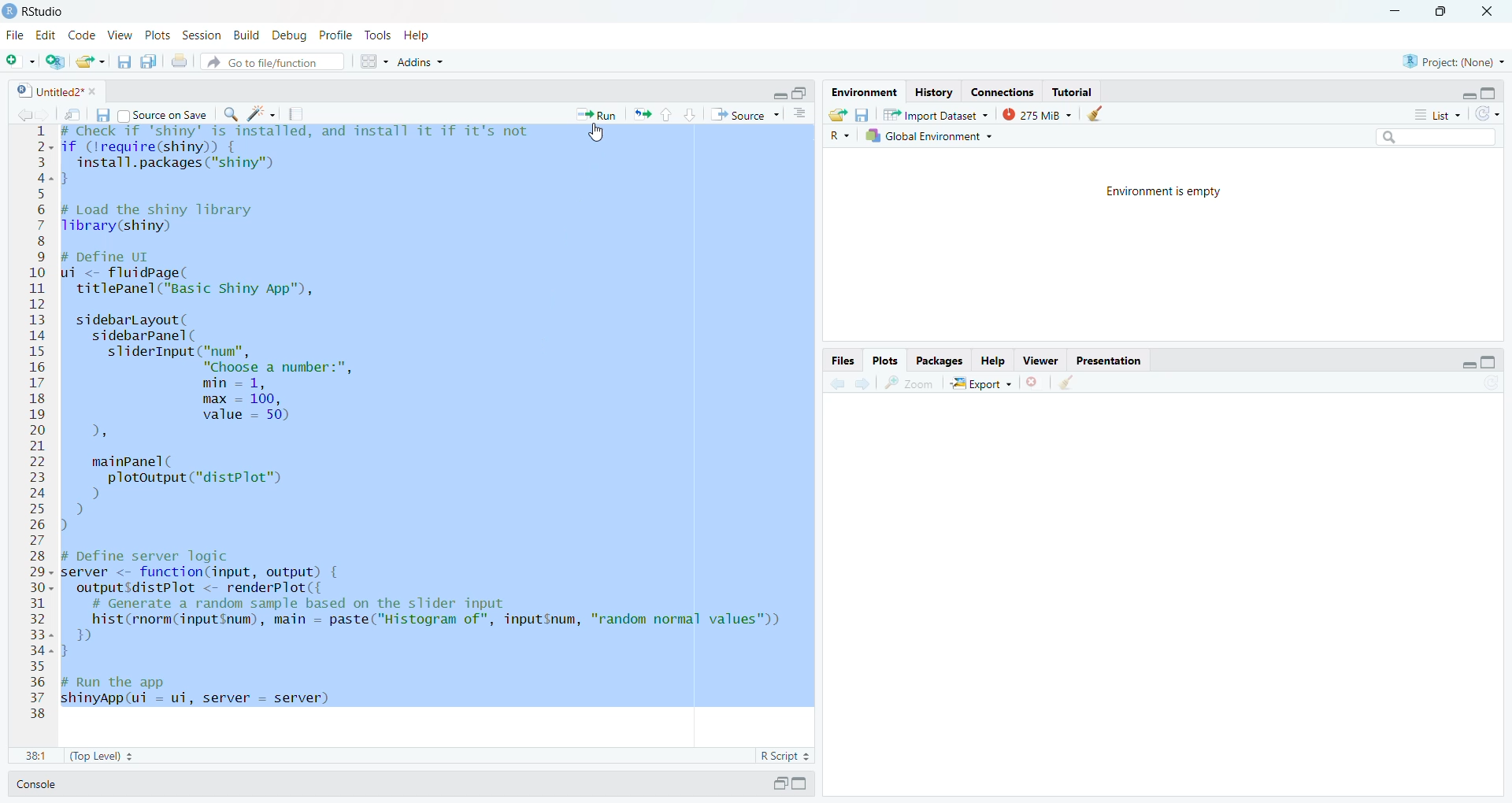  What do you see at coordinates (102, 756) in the screenshot?
I see `(Top Level)` at bounding box center [102, 756].